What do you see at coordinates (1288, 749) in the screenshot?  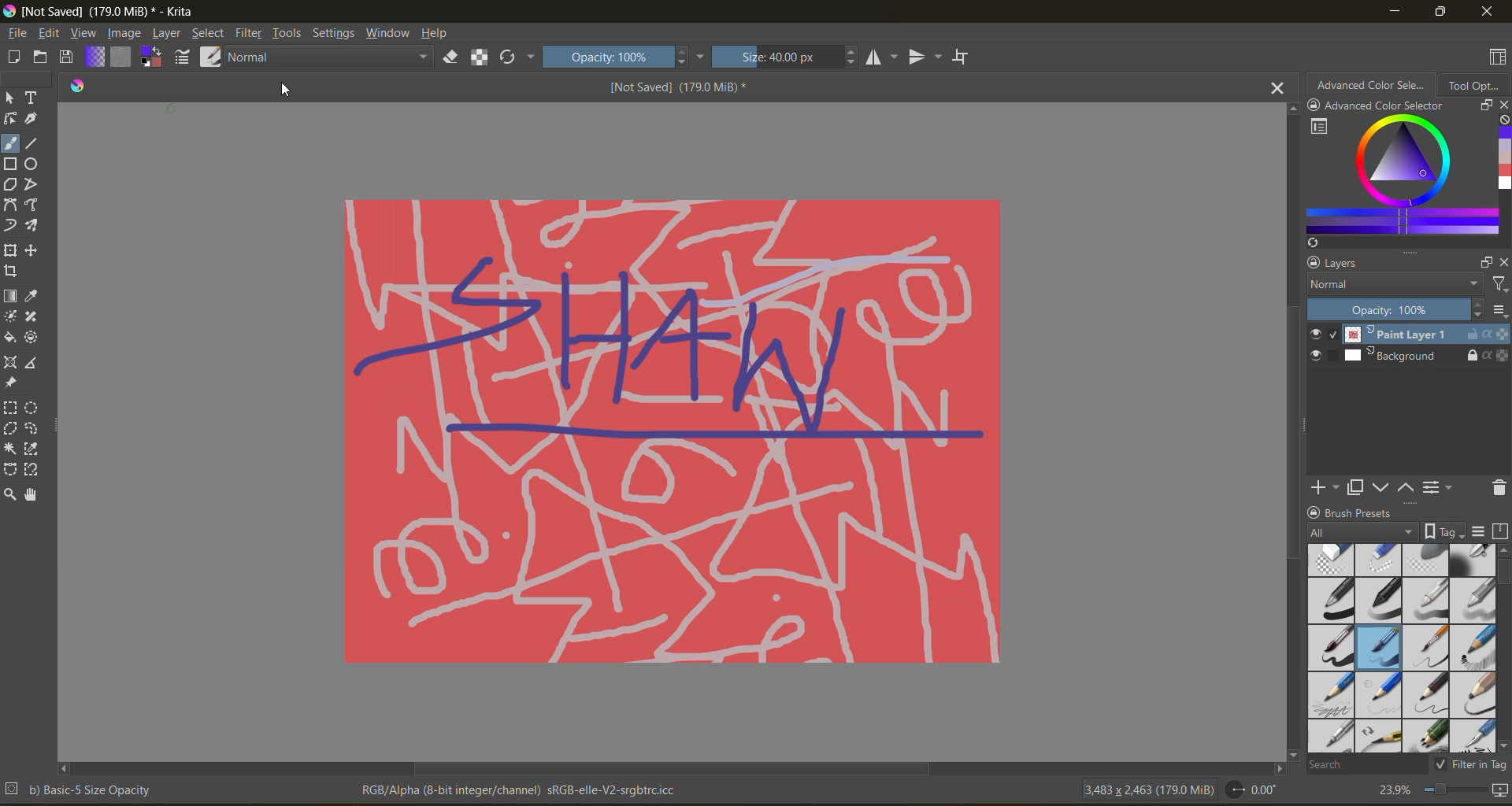 I see `scroll down` at bounding box center [1288, 749].